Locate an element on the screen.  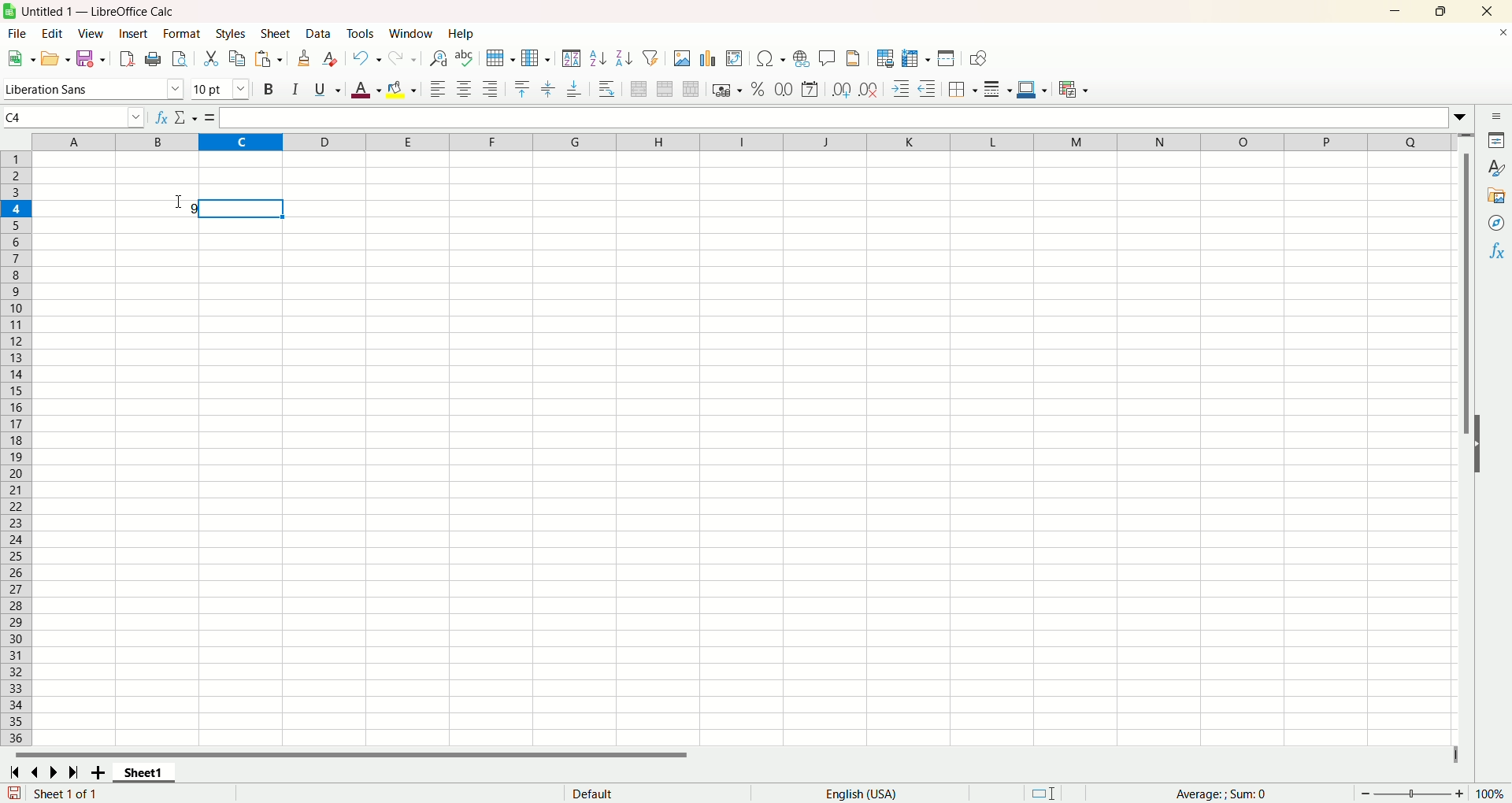
file is located at coordinates (14, 35).